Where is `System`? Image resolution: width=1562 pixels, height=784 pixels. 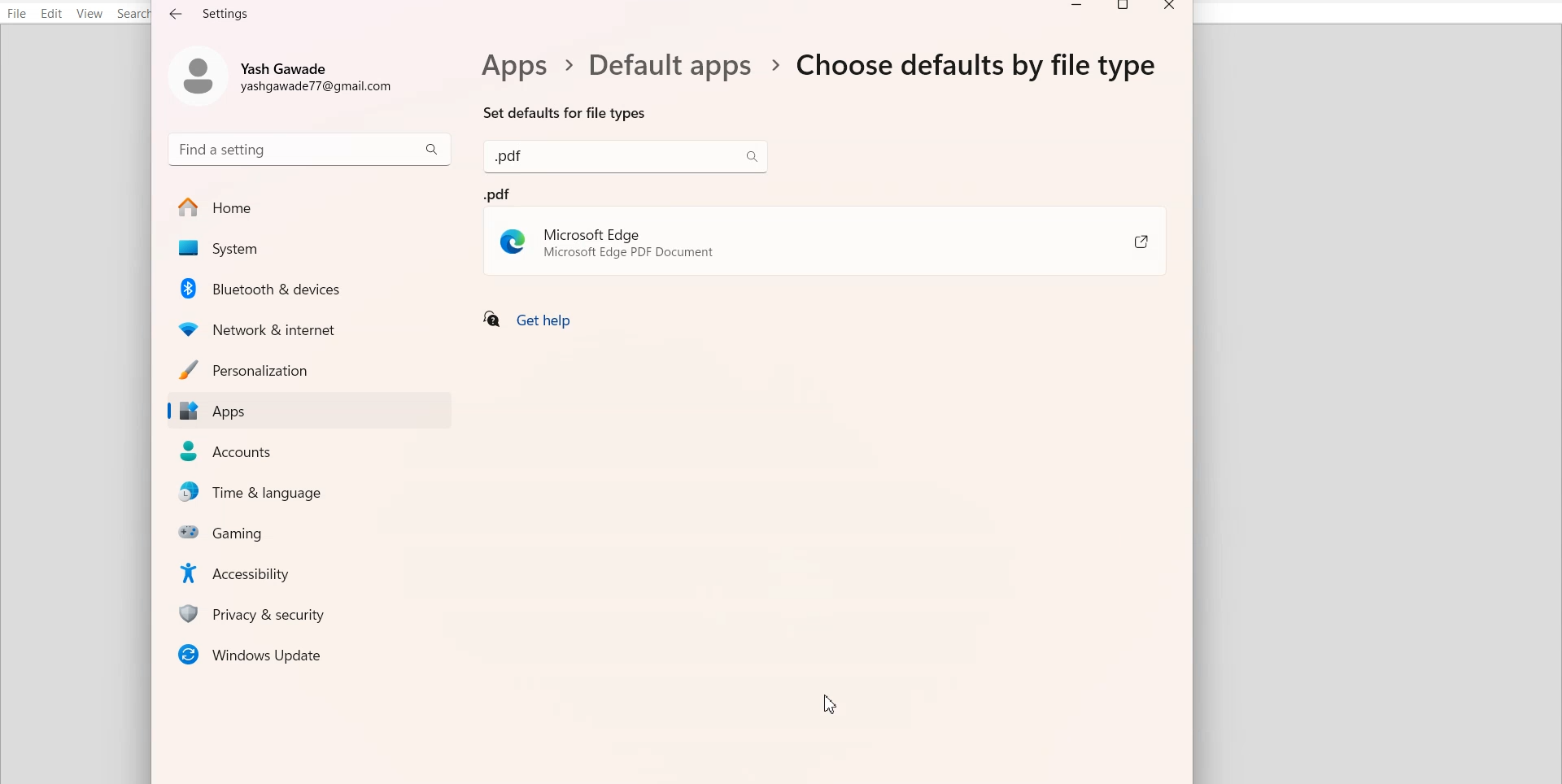
System is located at coordinates (308, 249).